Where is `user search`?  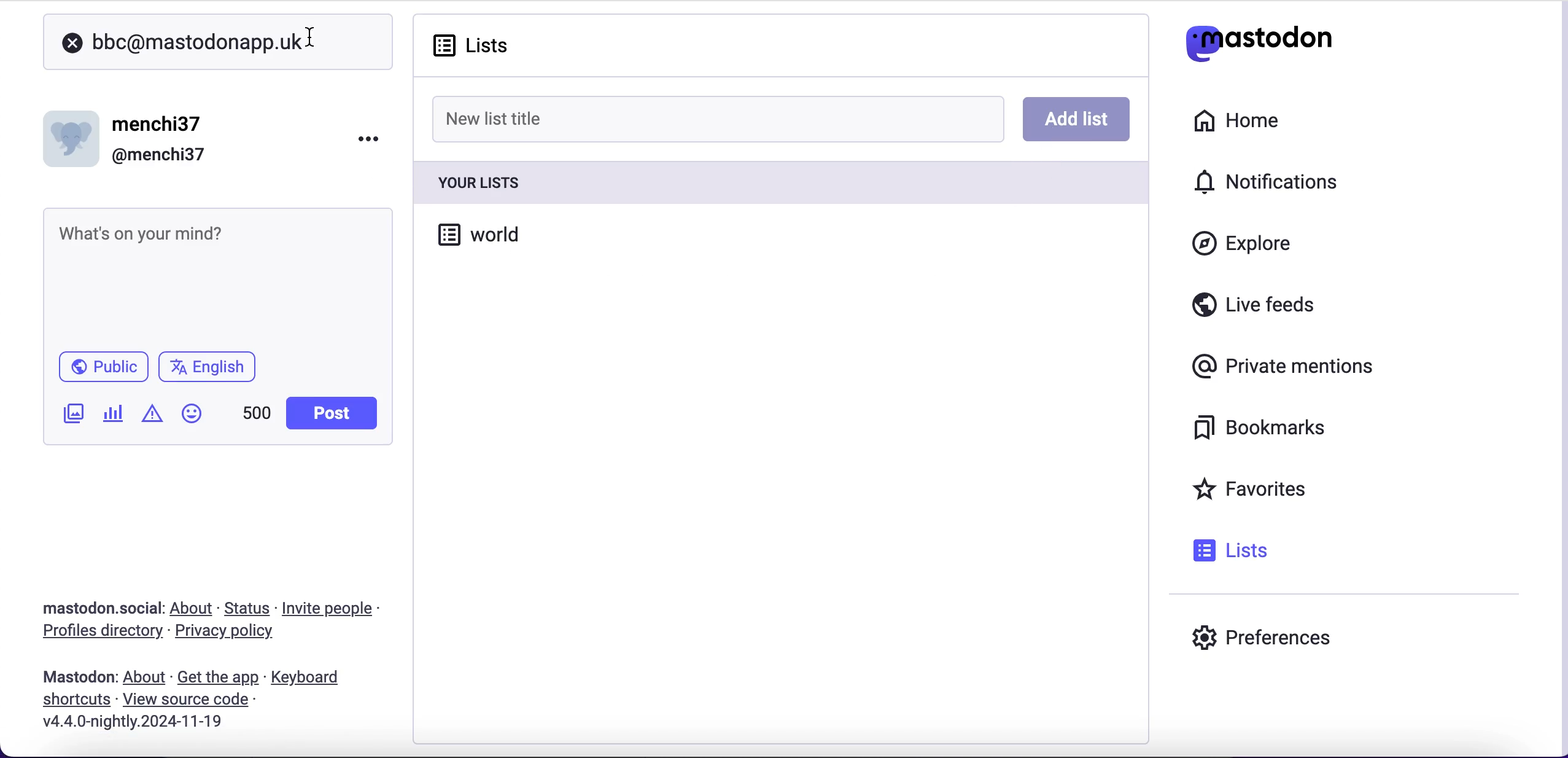
user search is located at coordinates (195, 40).